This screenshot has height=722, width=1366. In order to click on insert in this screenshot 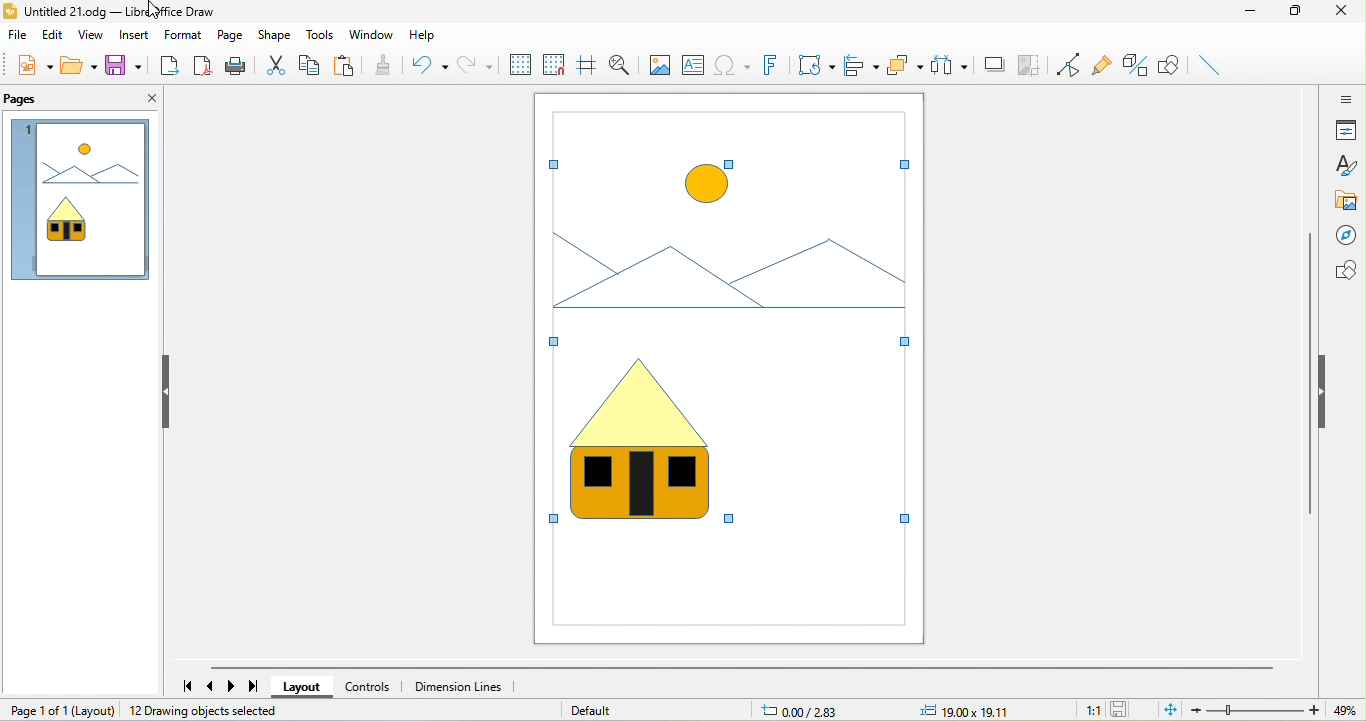, I will do `click(135, 36)`.